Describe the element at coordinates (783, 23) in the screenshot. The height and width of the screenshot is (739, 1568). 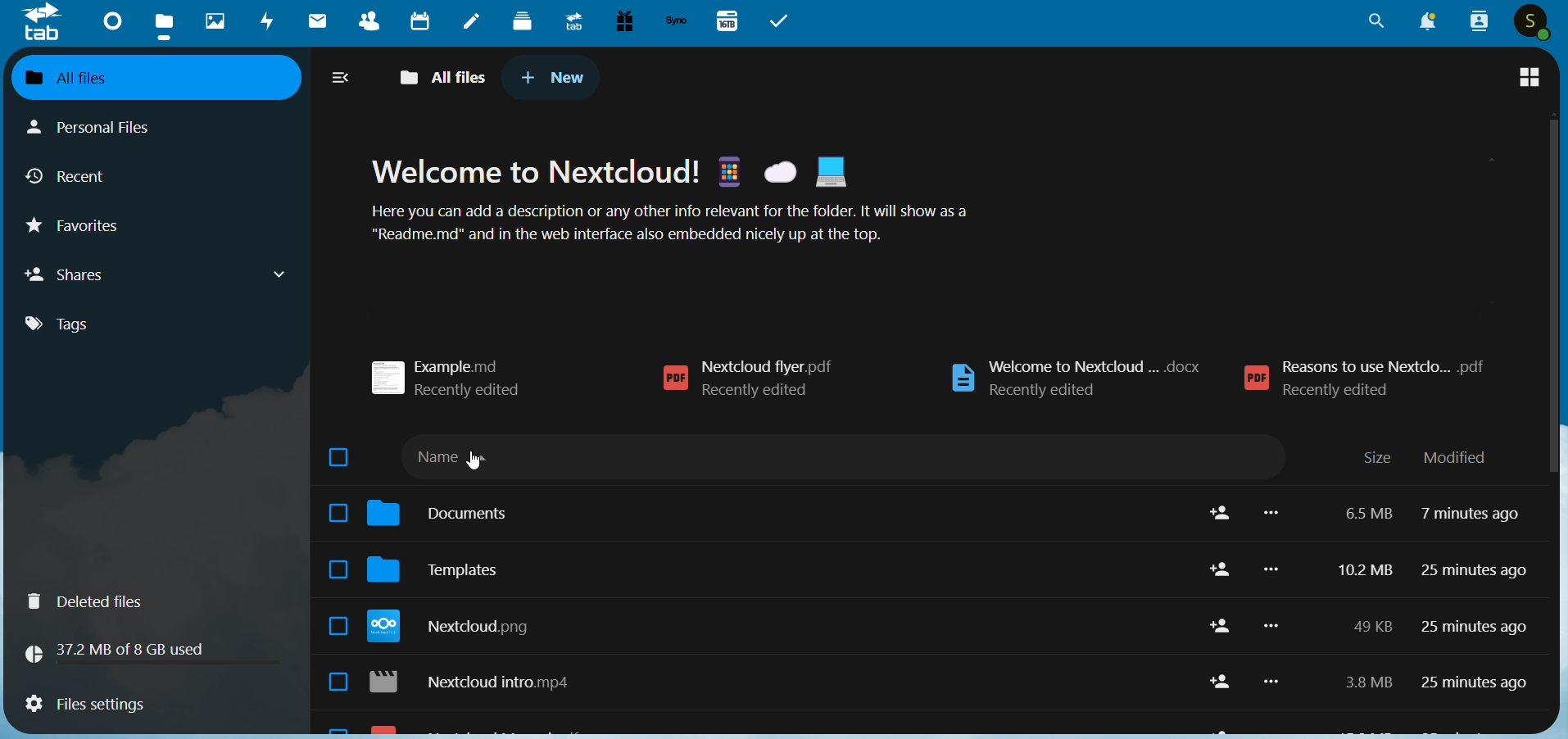
I see `Tasks` at that location.